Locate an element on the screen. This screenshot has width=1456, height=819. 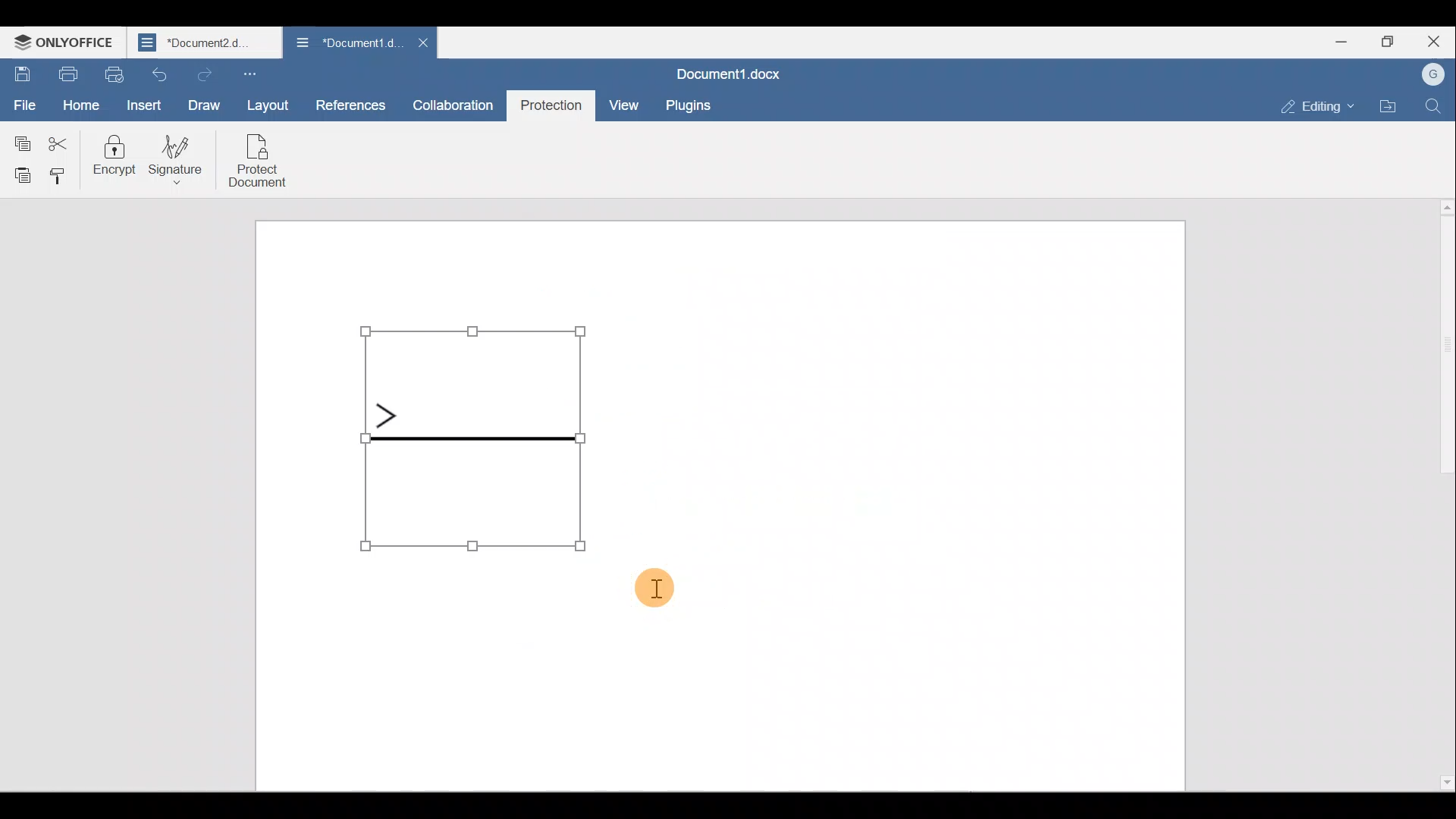
Find is located at coordinates (1434, 107).